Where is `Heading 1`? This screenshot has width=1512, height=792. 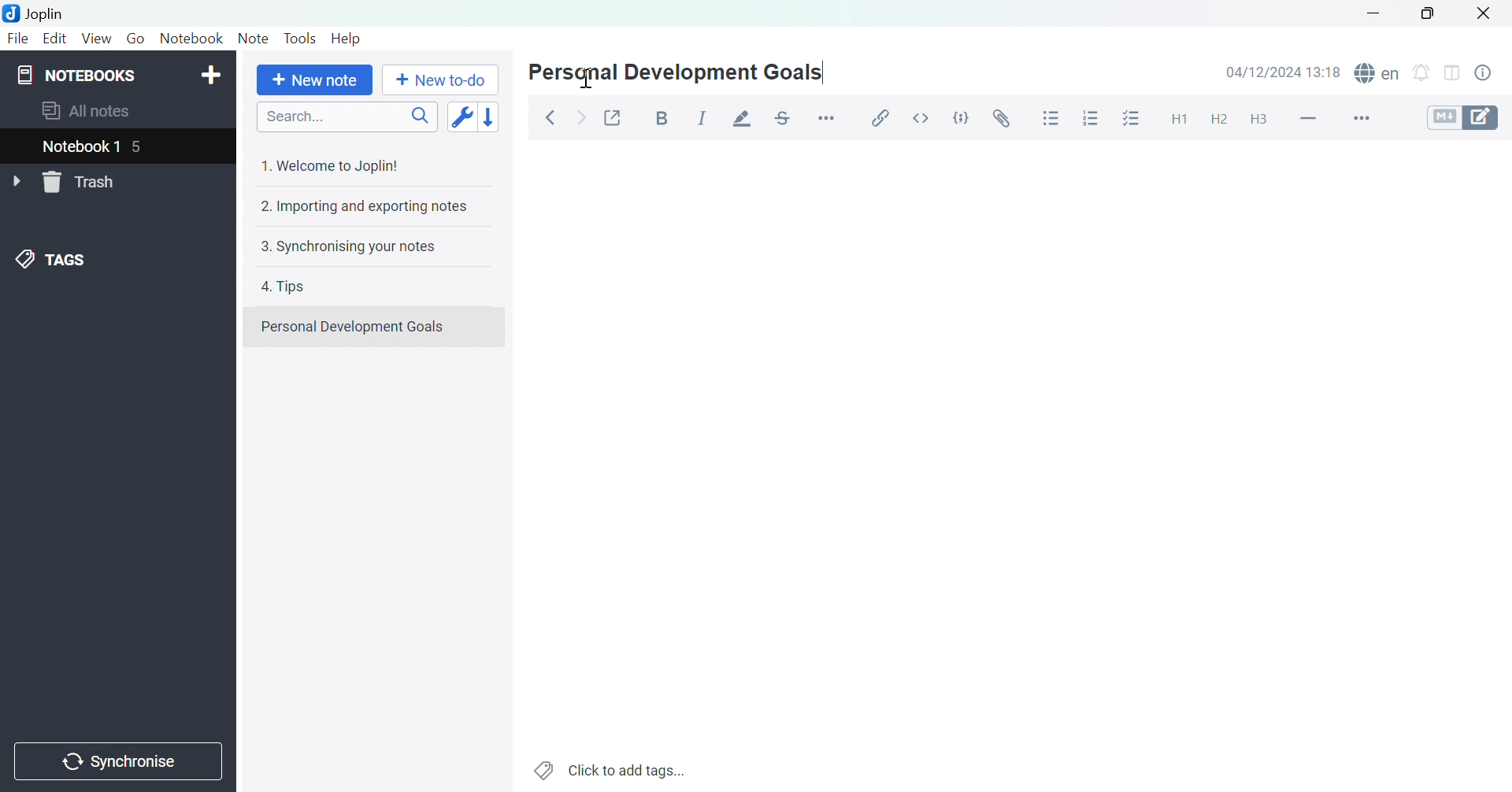
Heading 1 is located at coordinates (1180, 120).